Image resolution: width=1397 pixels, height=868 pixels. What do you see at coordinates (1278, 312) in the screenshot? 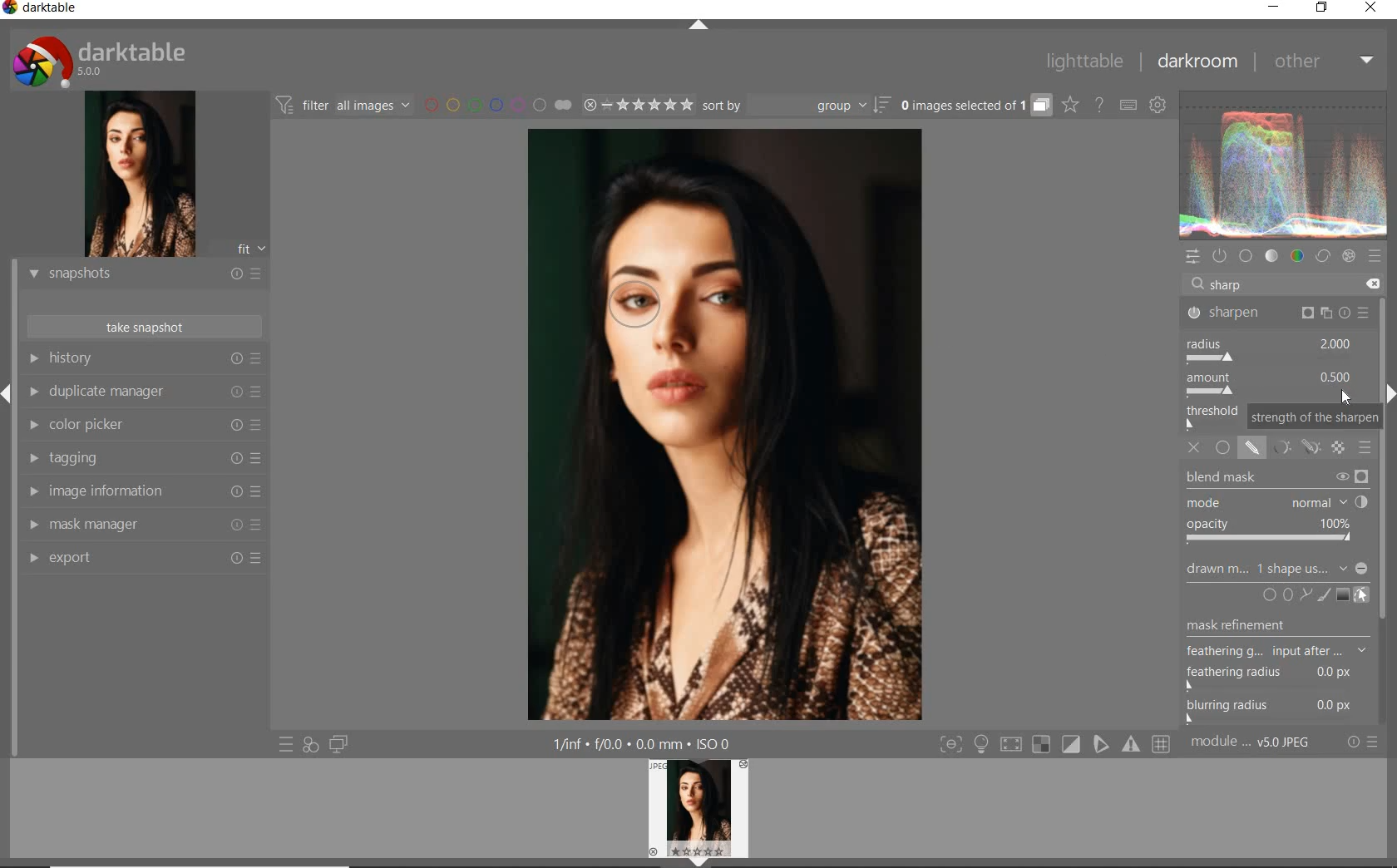
I see `sharpen` at bounding box center [1278, 312].